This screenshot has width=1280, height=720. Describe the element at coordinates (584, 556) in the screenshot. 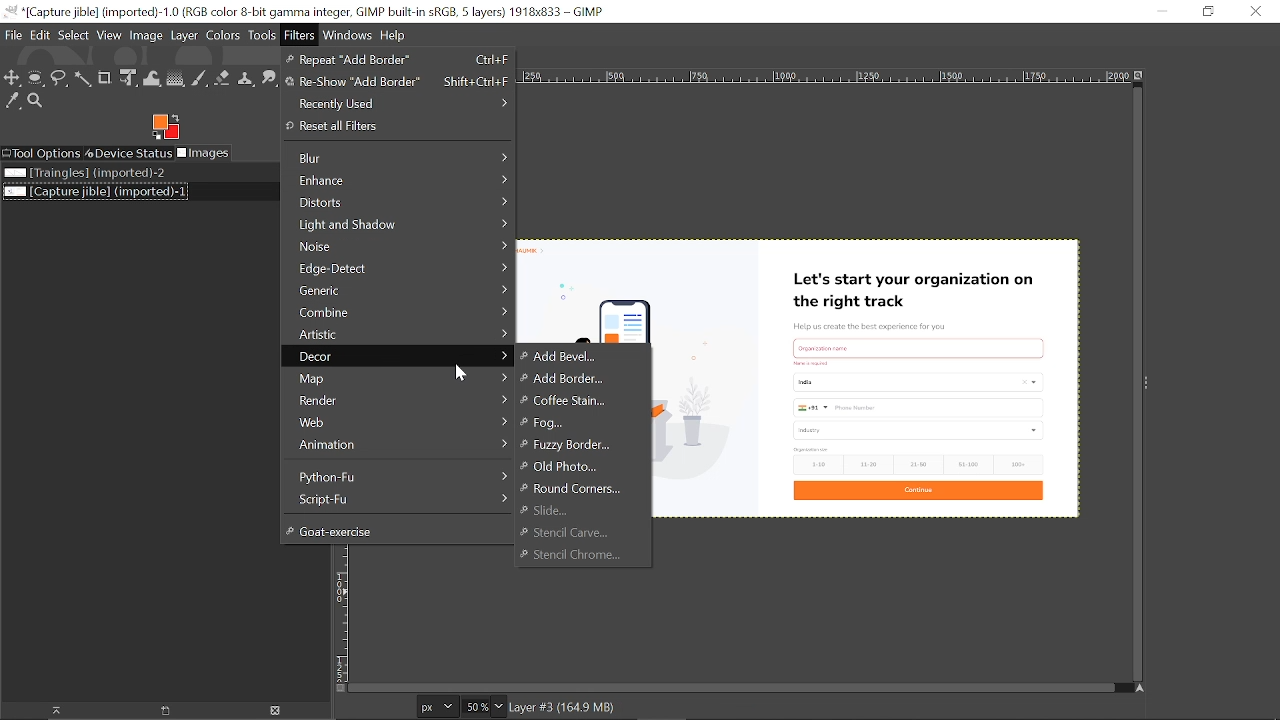

I see `' Stencil Chrome...` at that location.